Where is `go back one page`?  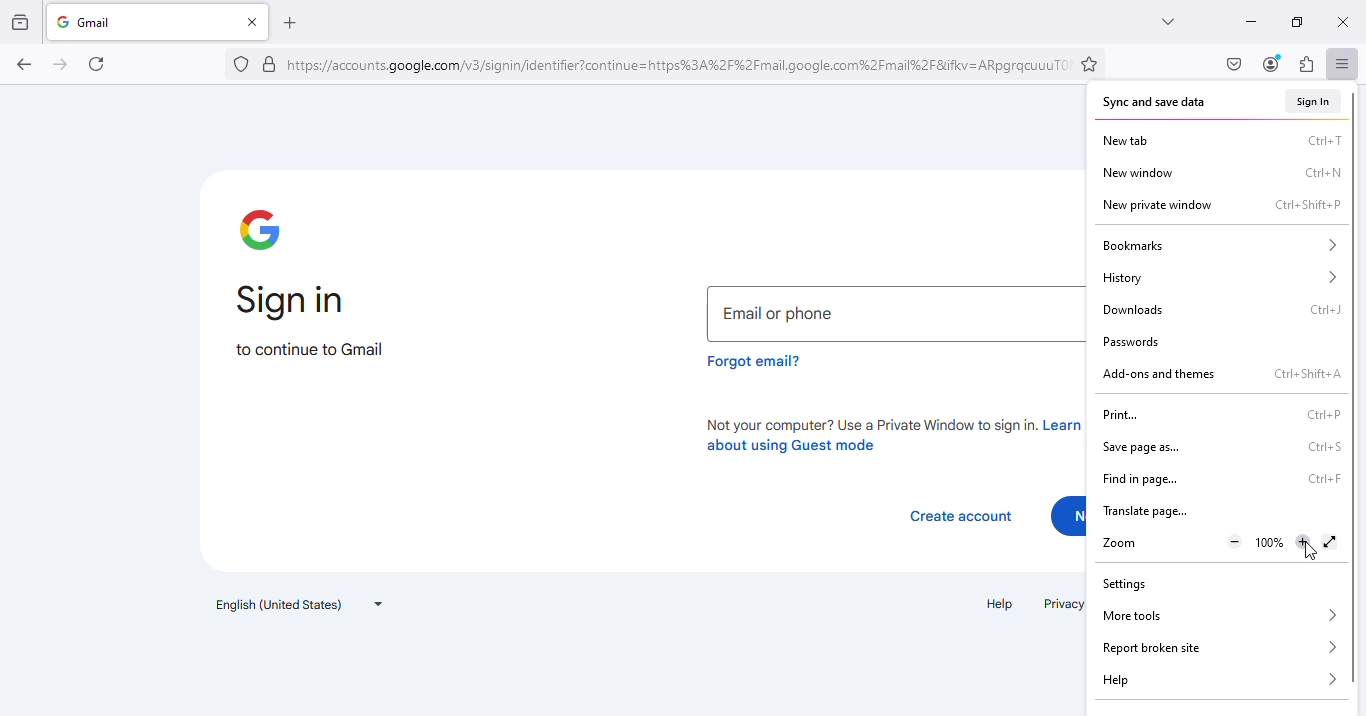 go back one page is located at coordinates (25, 64).